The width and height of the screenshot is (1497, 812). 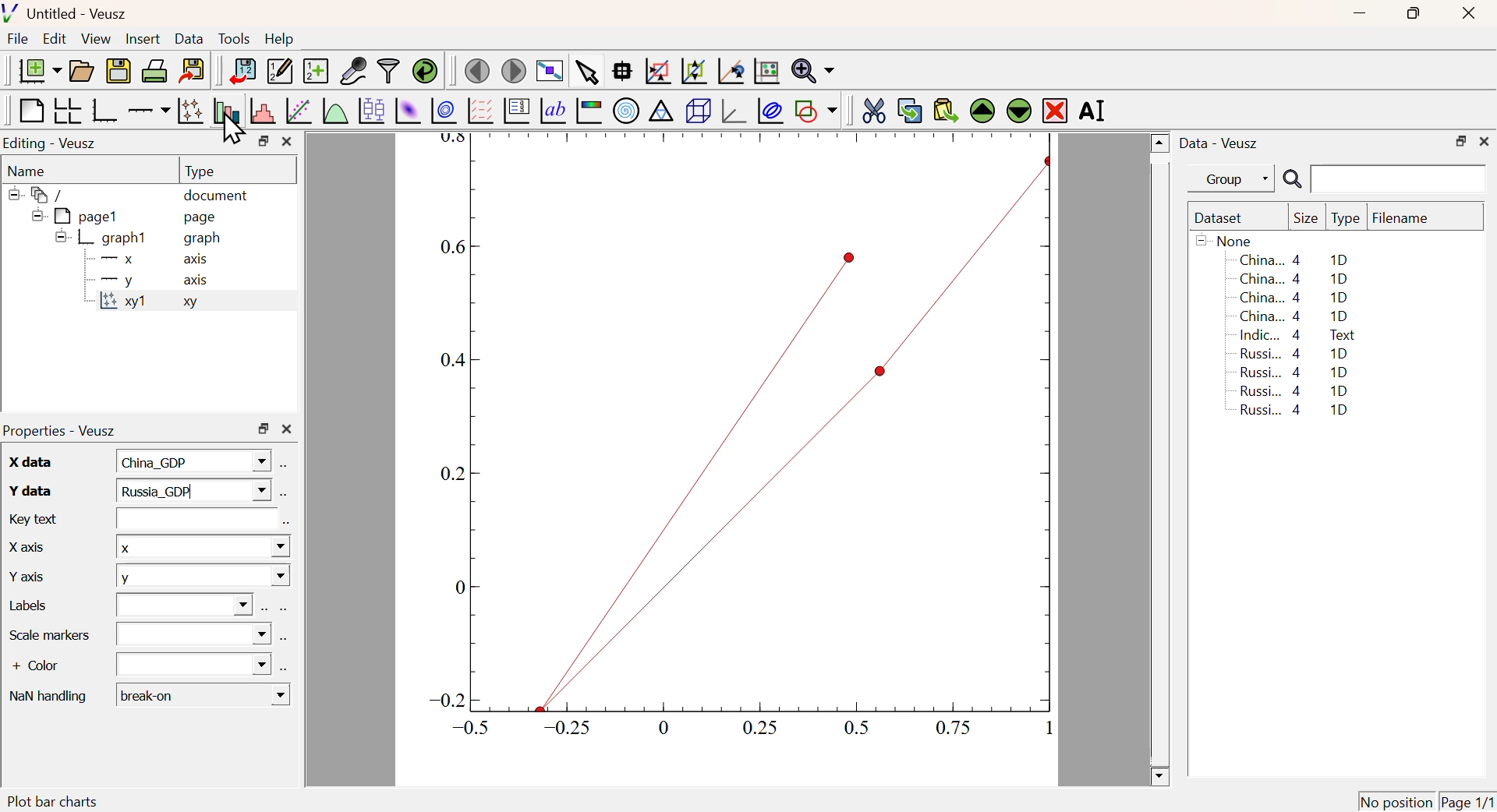 What do you see at coordinates (35, 517) in the screenshot?
I see `Key text` at bounding box center [35, 517].